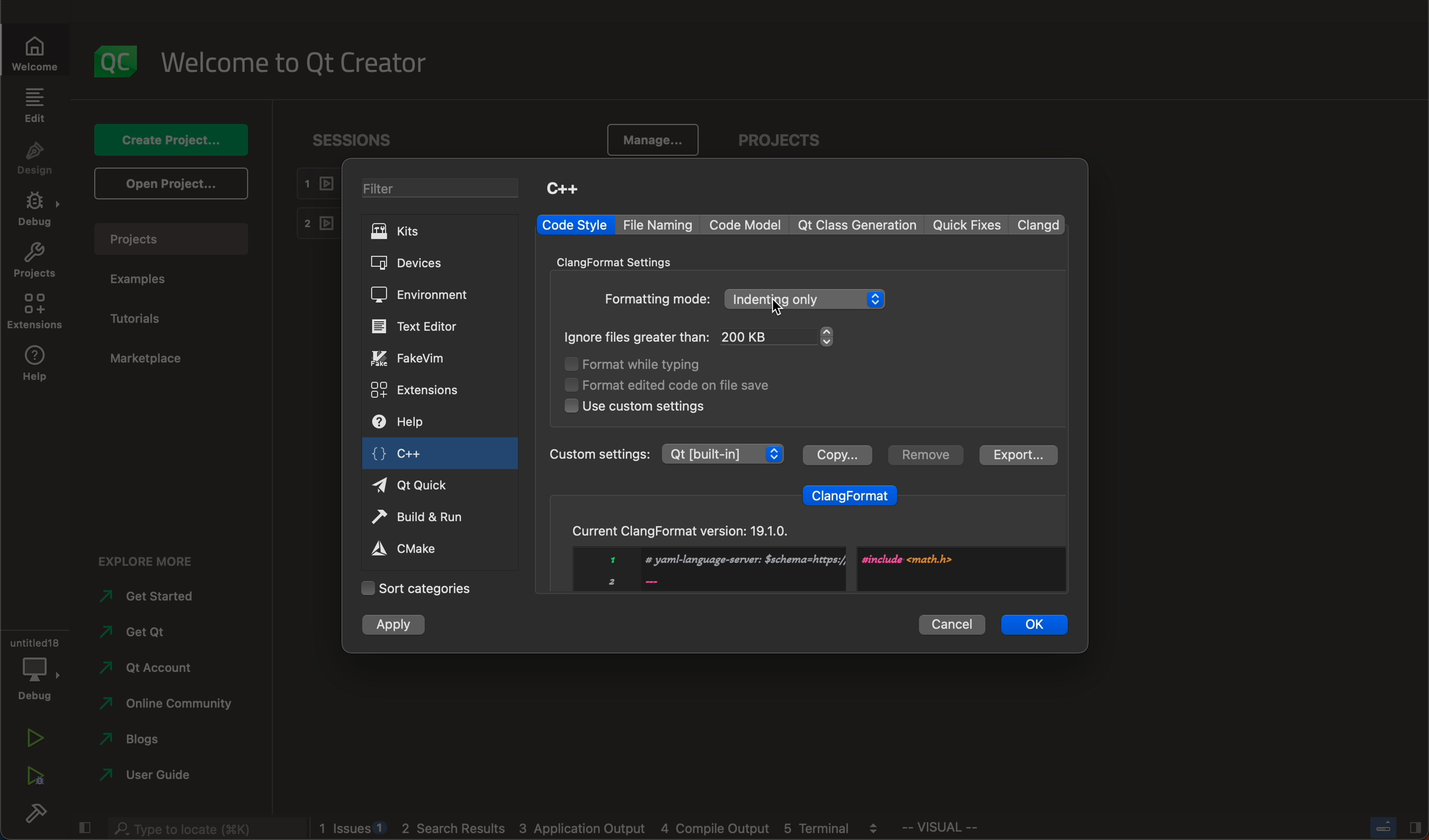 Image resolution: width=1429 pixels, height=840 pixels. What do you see at coordinates (804, 551) in the screenshot?
I see `current format version` at bounding box center [804, 551].